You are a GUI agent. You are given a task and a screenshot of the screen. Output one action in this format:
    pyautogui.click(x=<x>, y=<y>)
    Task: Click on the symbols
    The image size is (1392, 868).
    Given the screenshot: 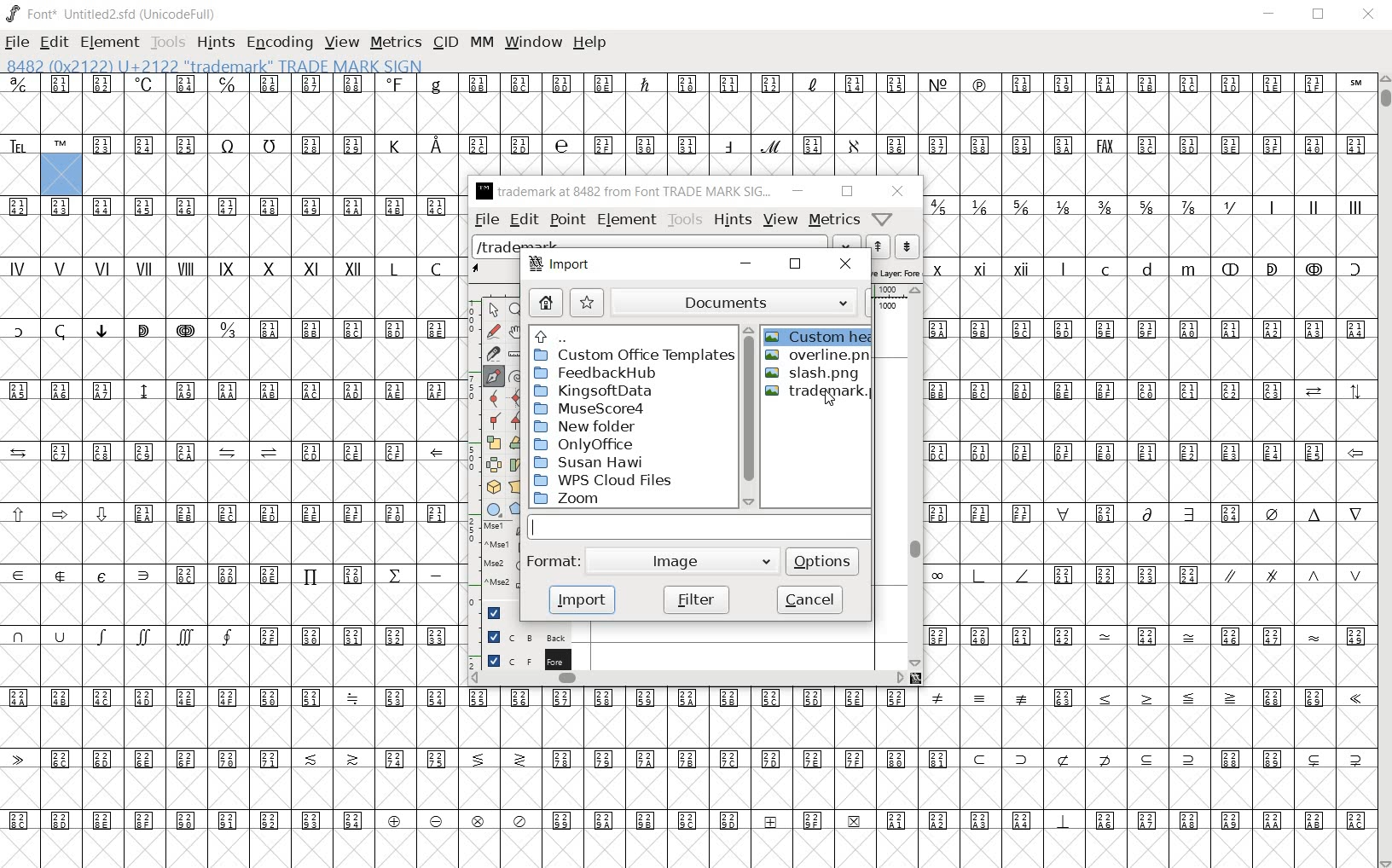 What is the action you would take?
    pyautogui.click(x=231, y=603)
    